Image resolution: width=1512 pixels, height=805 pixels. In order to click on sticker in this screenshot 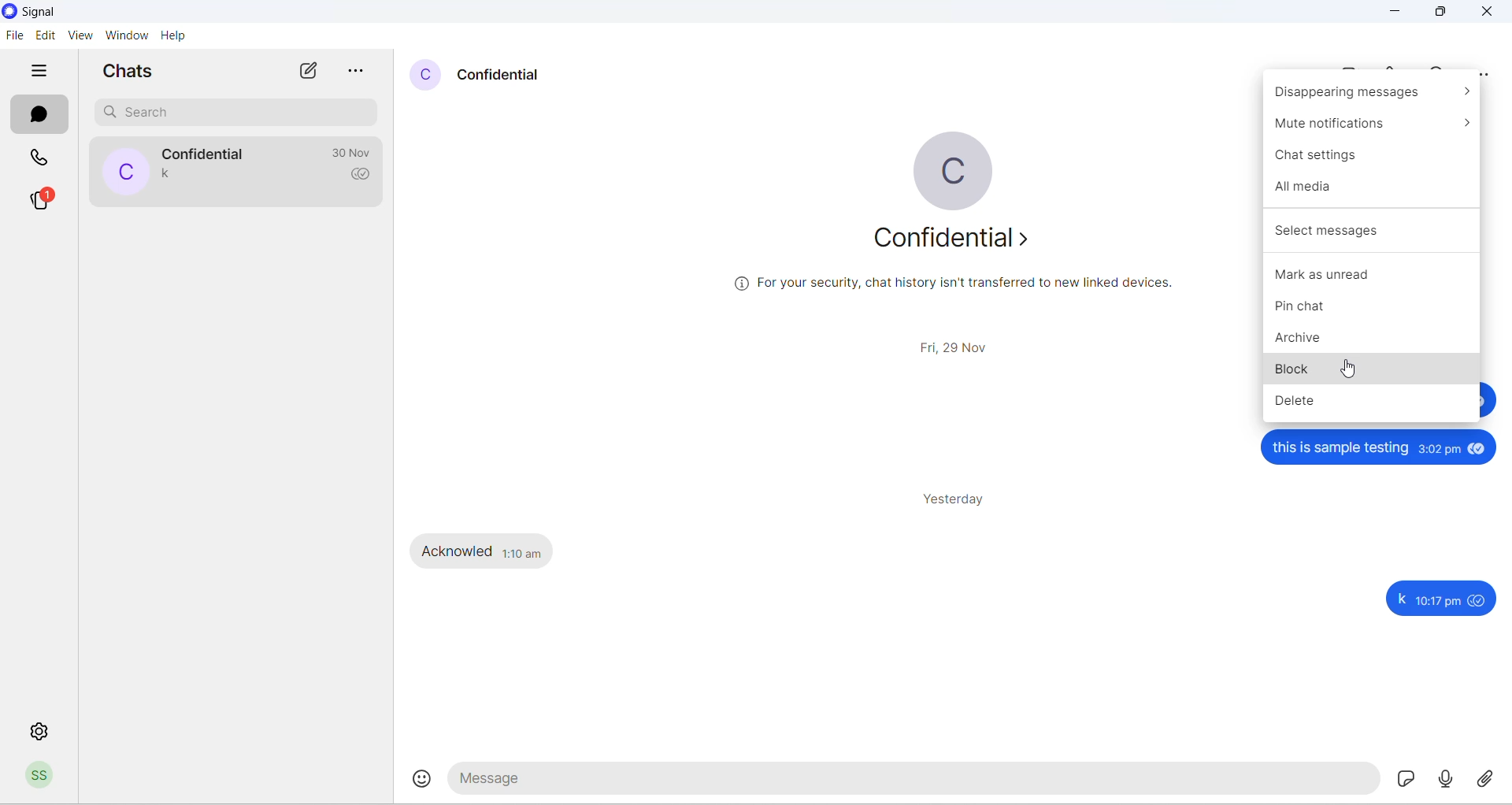, I will do `click(1405, 779)`.